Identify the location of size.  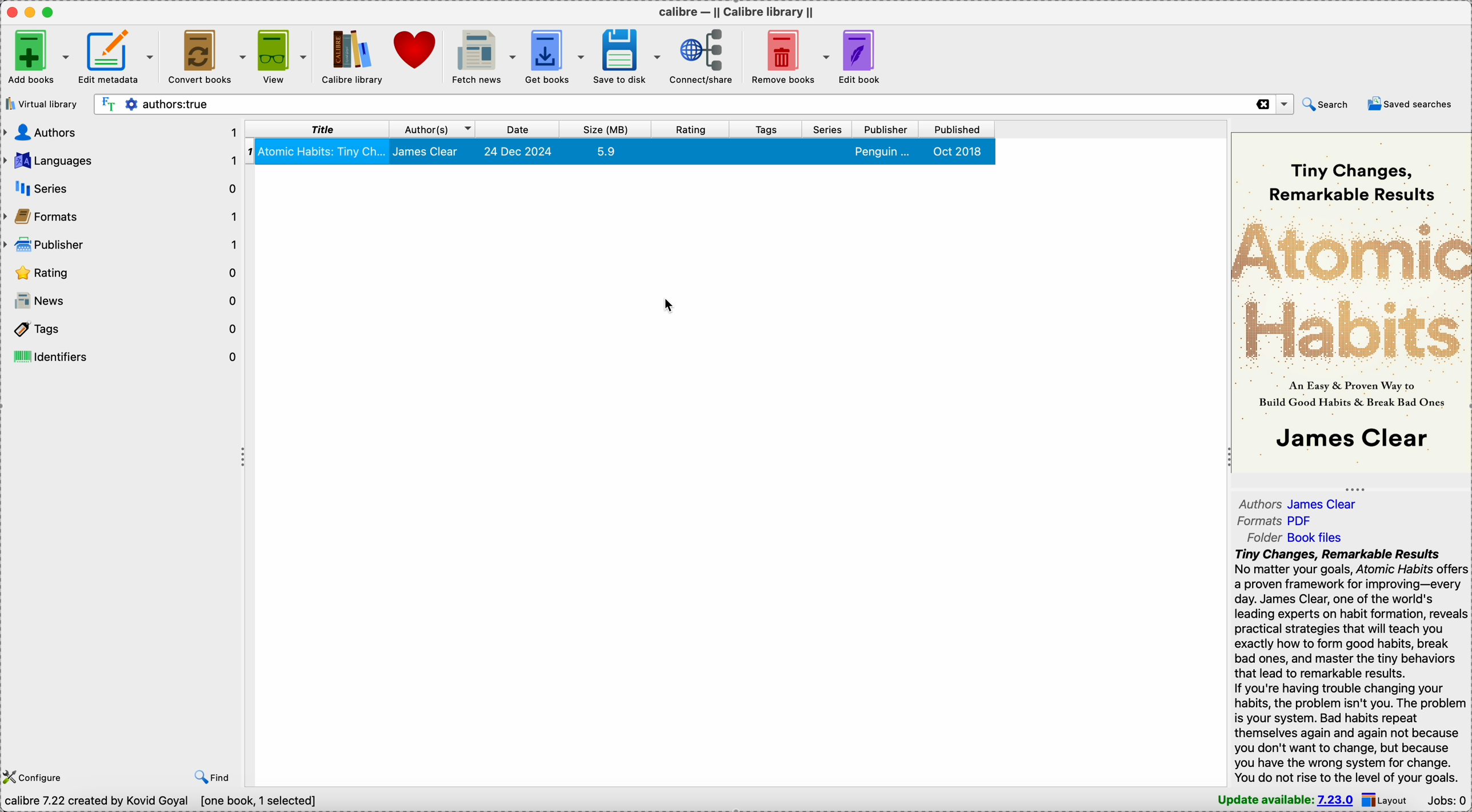
(606, 128).